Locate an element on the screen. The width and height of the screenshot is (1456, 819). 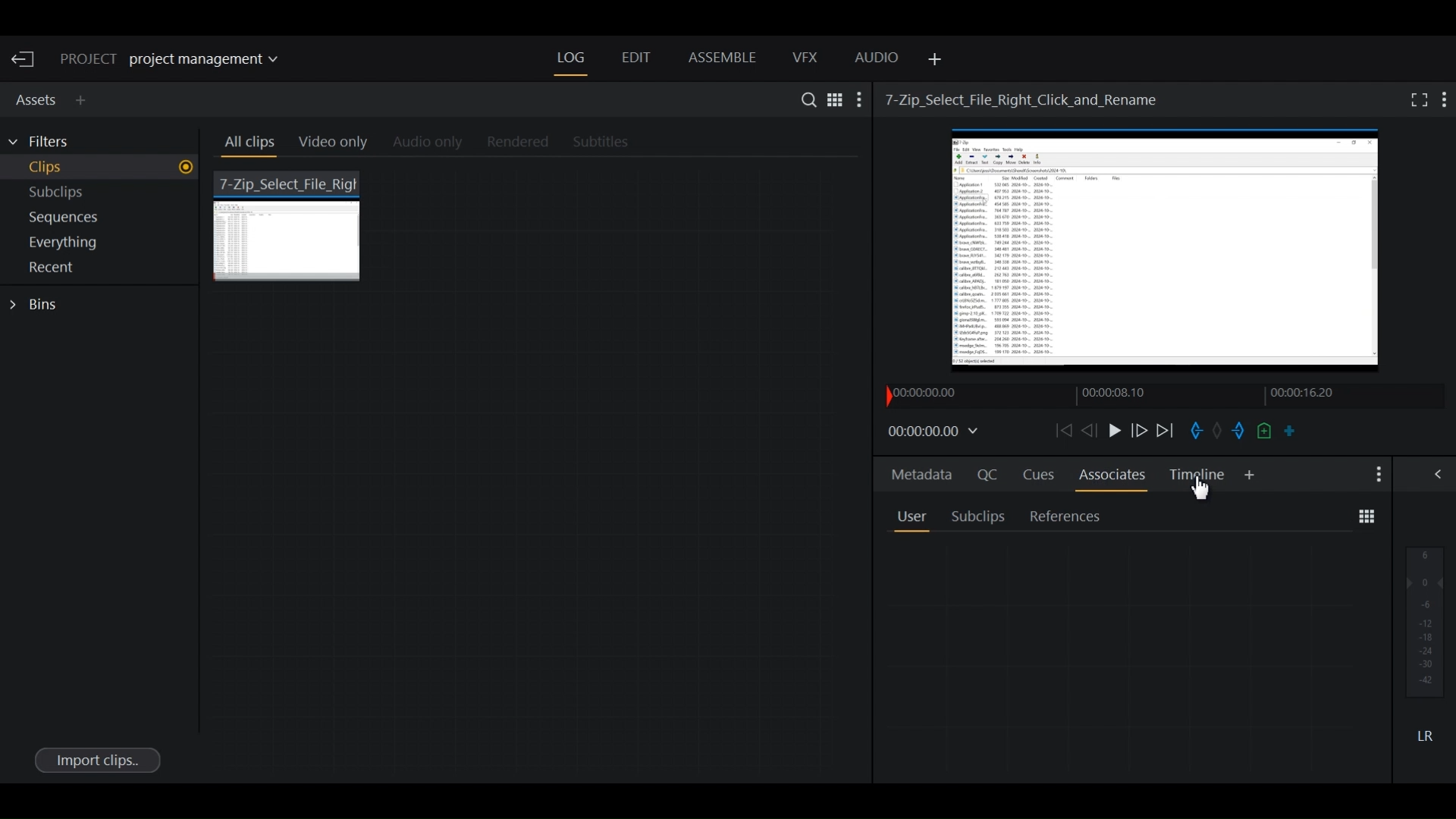
Metadata is located at coordinates (918, 472).